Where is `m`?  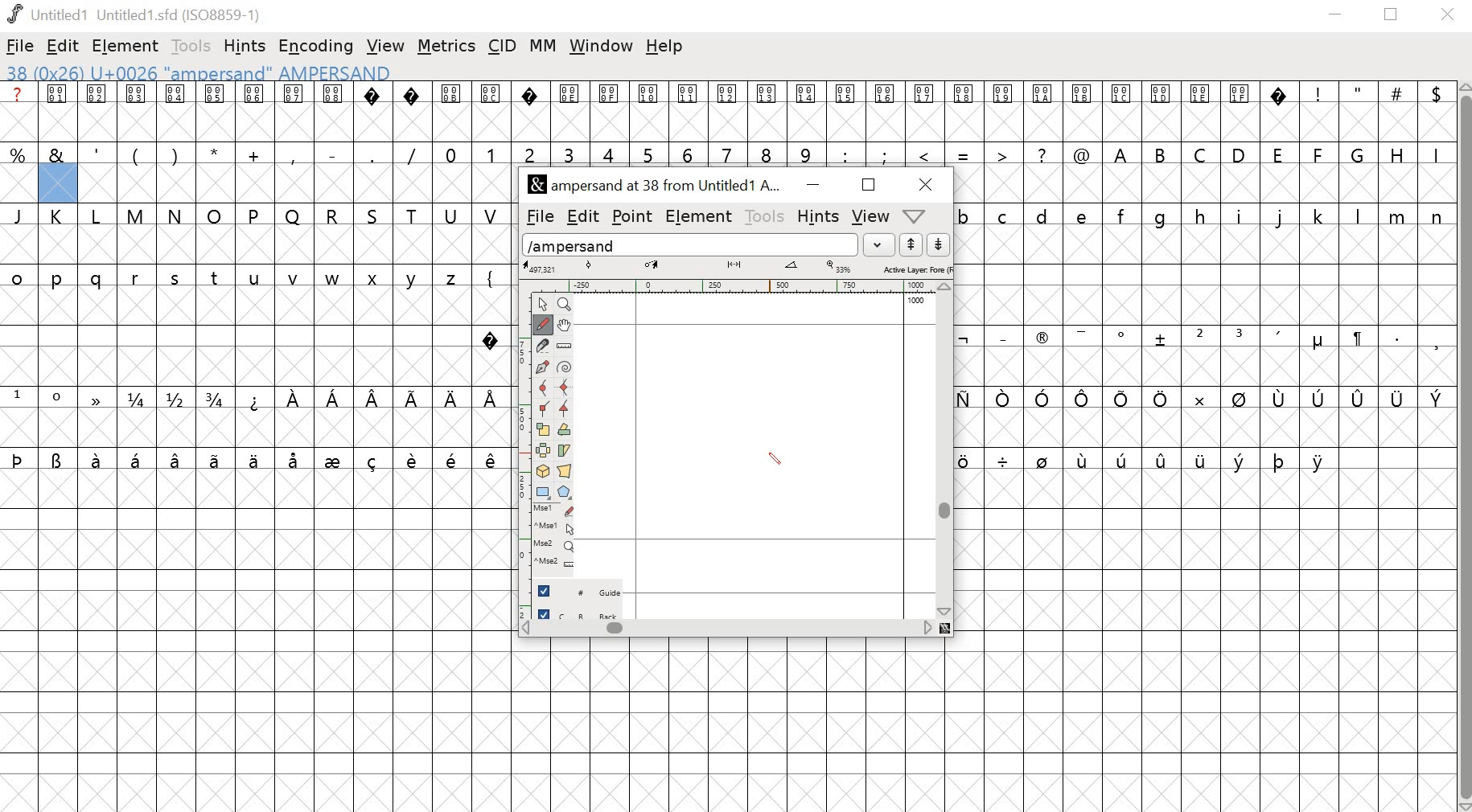
m is located at coordinates (1399, 215).